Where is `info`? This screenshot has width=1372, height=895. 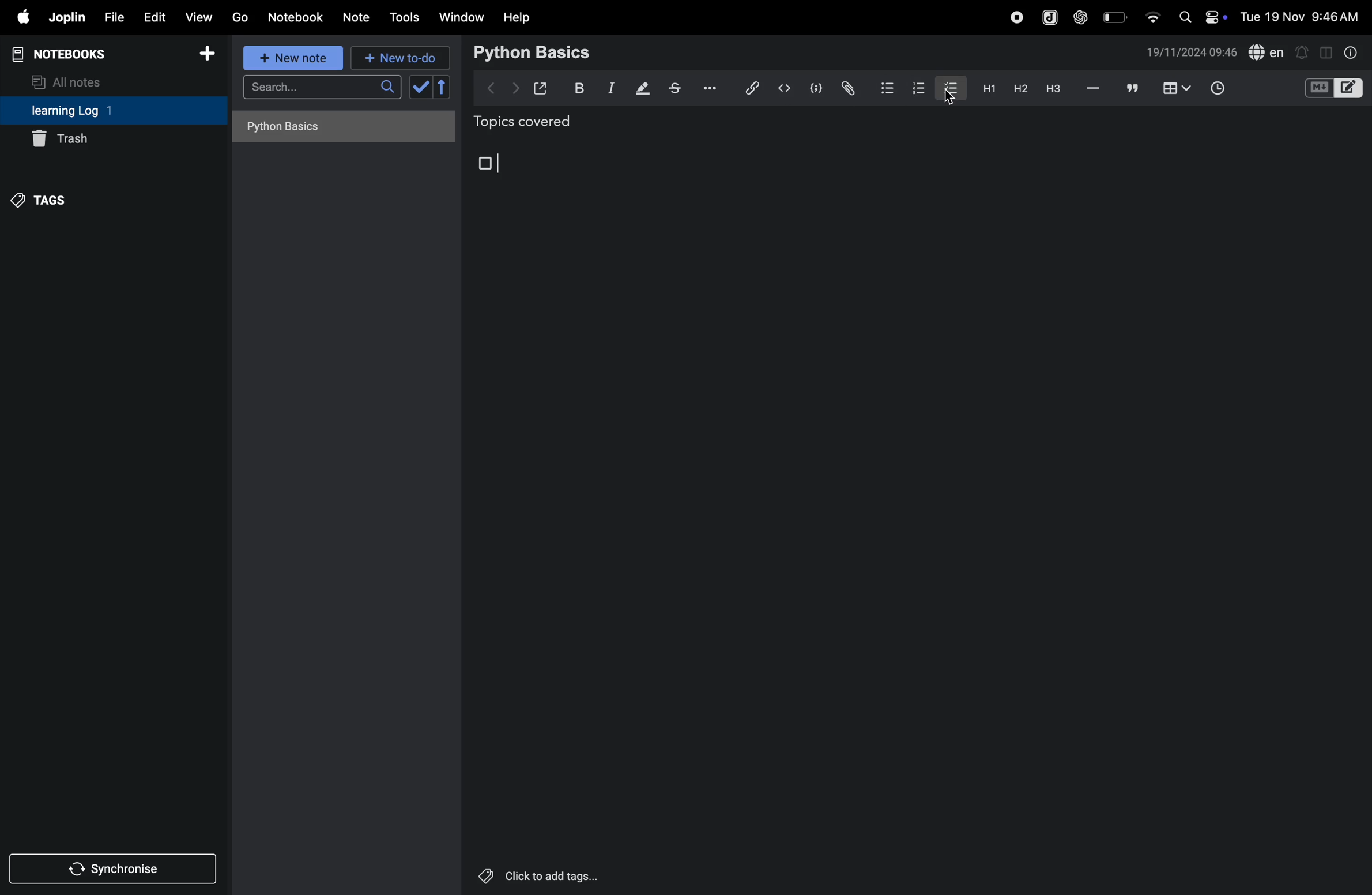
info is located at coordinates (1349, 52).